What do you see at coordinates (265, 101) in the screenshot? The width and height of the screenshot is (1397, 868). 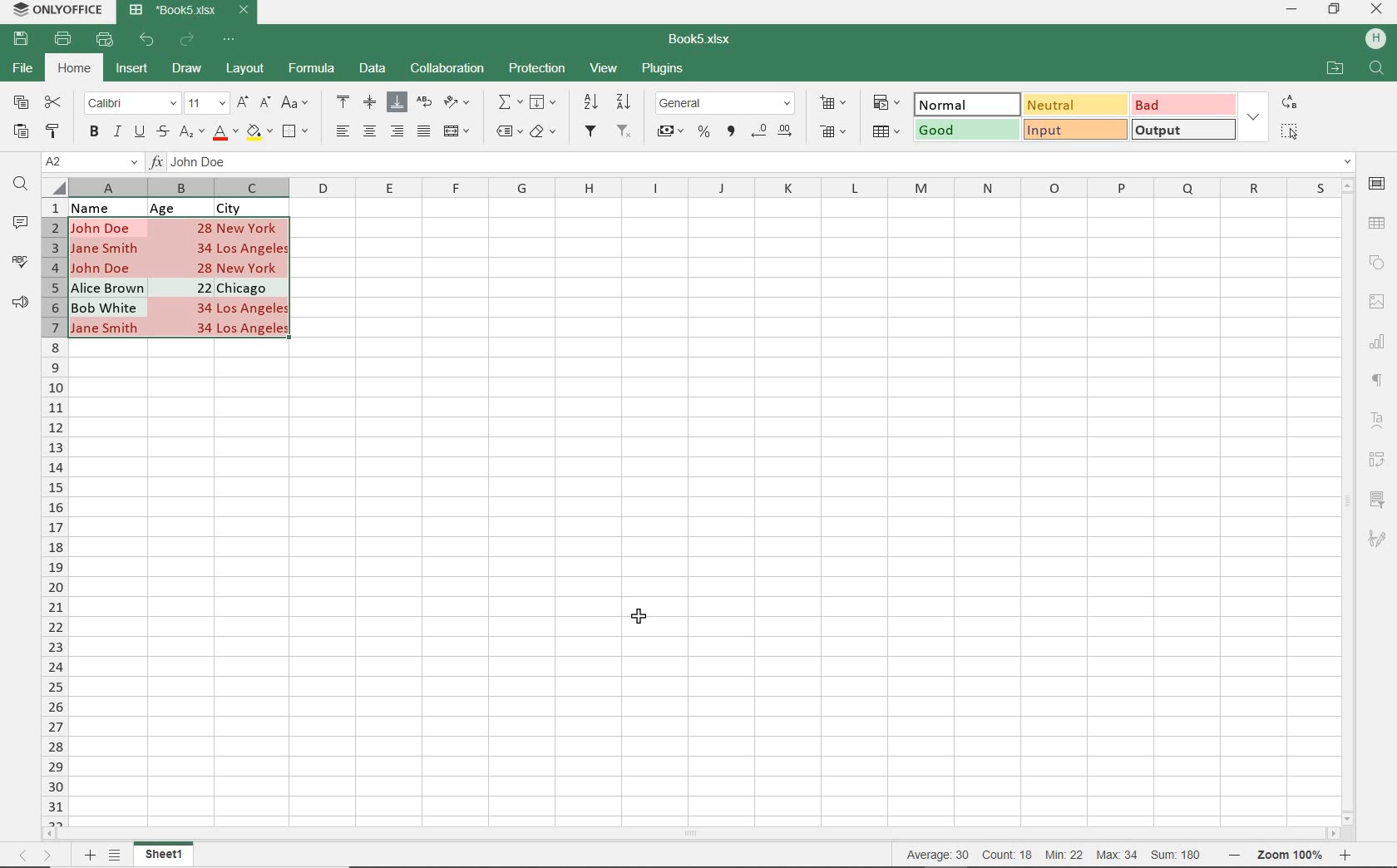 I see `DECREMENT FONT SIZE` at bounding box center [265, 101].